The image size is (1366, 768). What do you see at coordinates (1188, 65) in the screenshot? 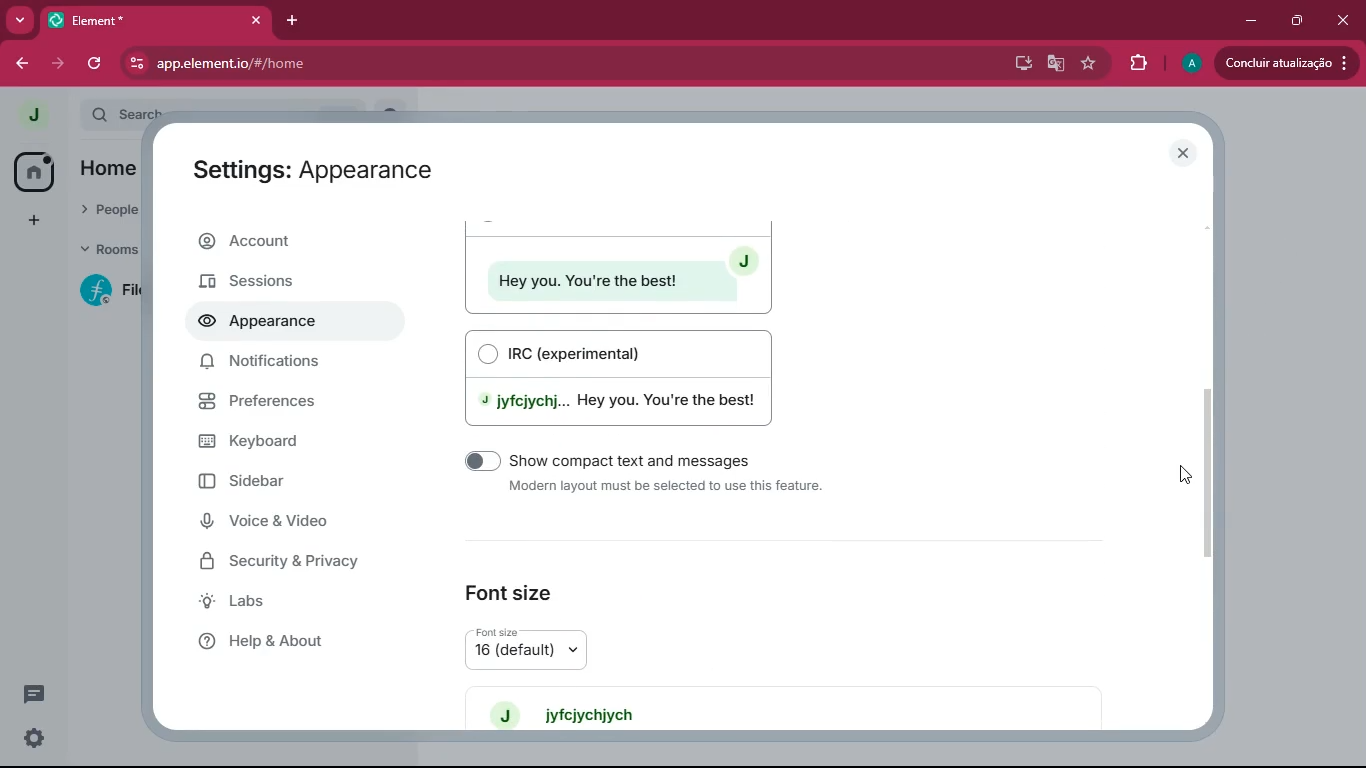
I see `profile` at bounding box center [1188, 65].